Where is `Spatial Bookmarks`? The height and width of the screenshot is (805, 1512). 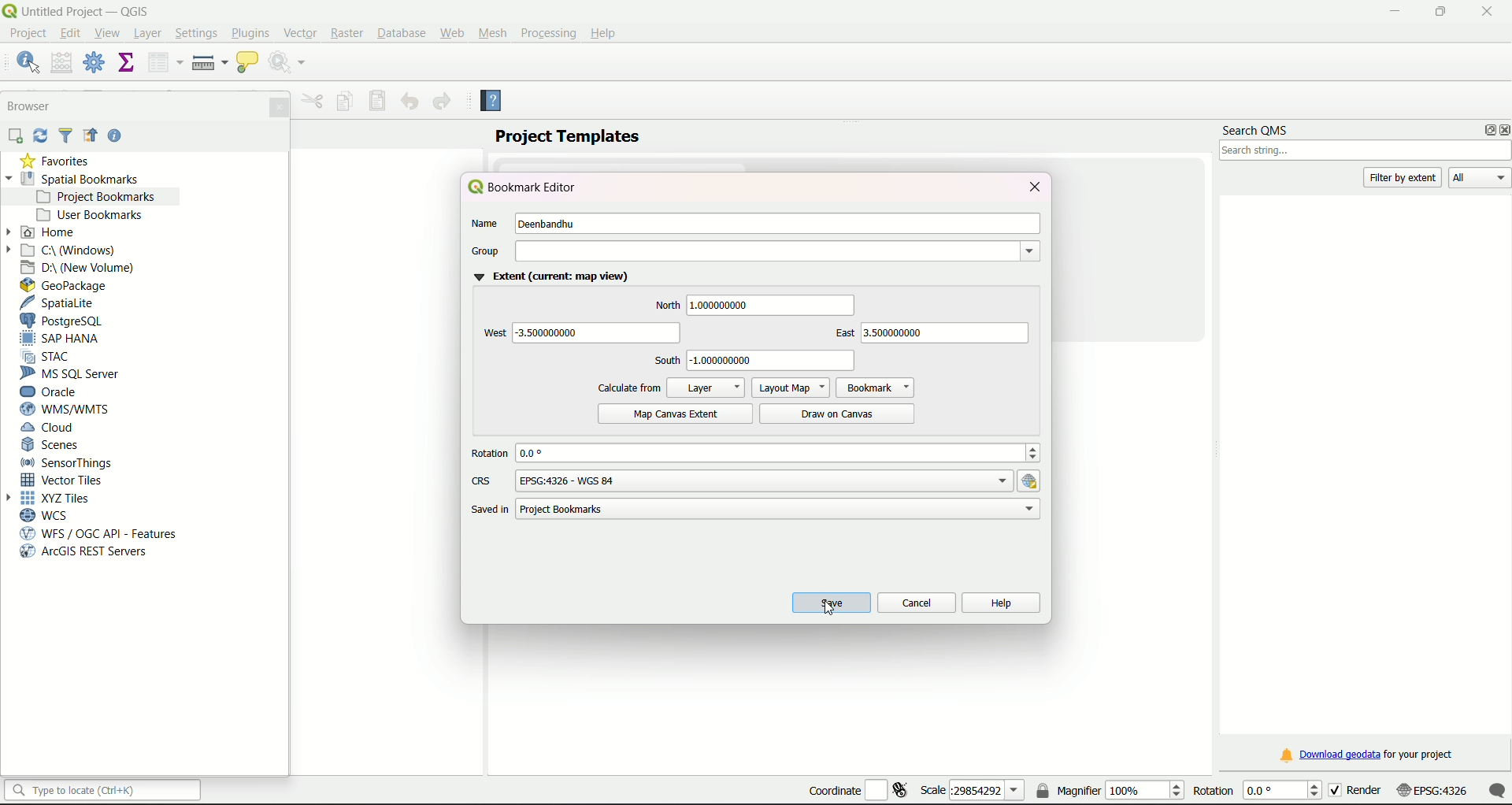 Spatial Bookmarks is located at coordinates (79, 178).